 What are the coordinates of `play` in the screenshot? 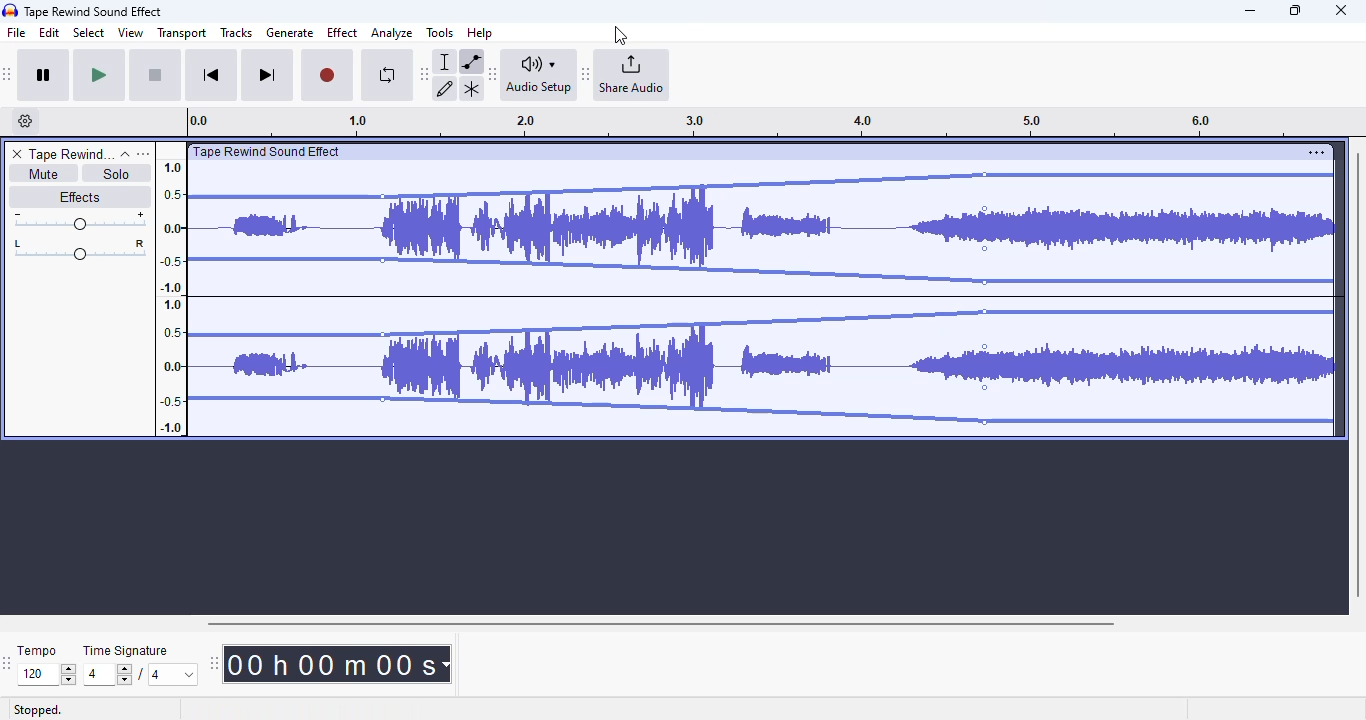 It's located at (99, 76).